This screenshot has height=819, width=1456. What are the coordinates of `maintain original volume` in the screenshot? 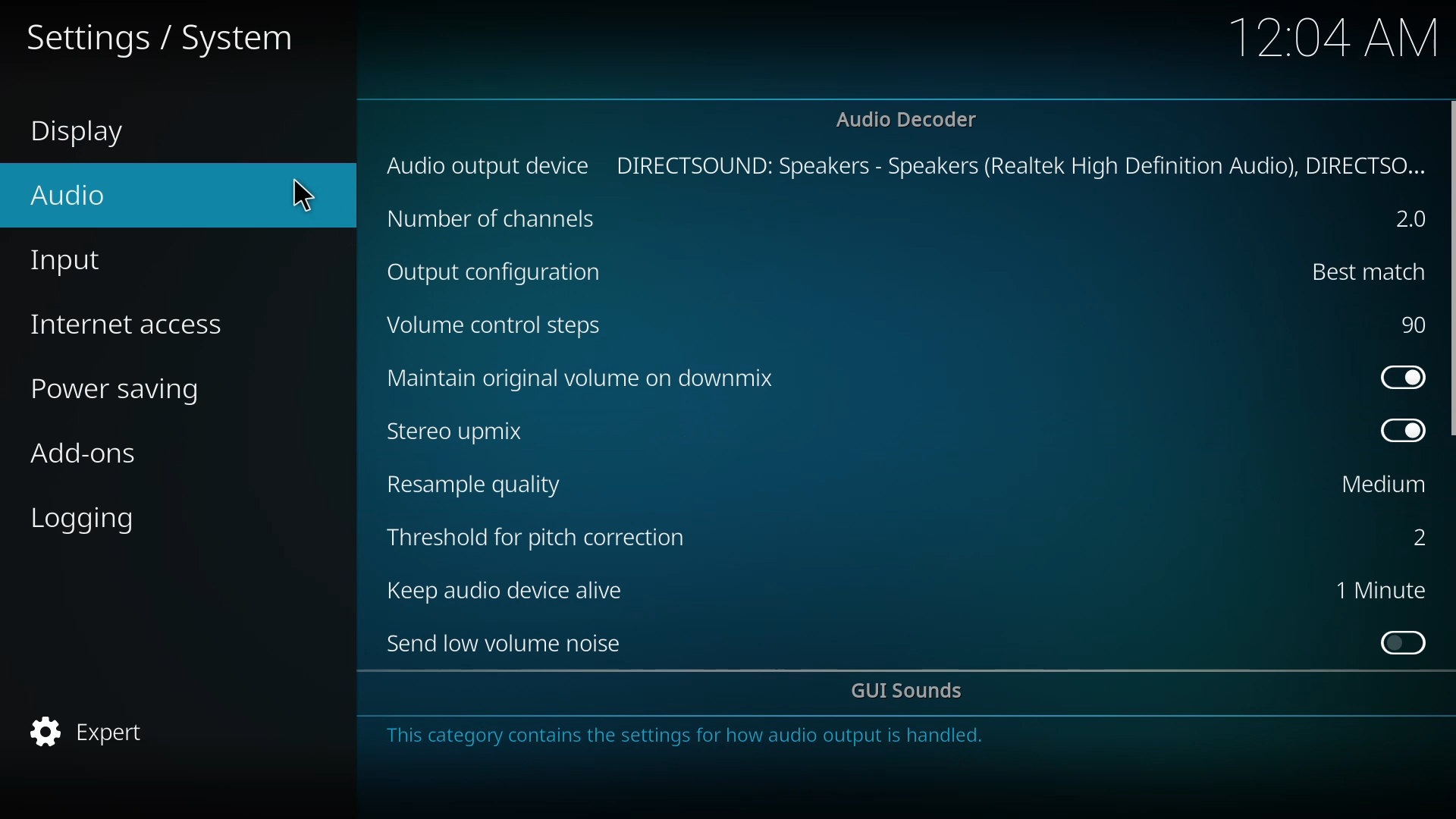 It's located at (594, 380).